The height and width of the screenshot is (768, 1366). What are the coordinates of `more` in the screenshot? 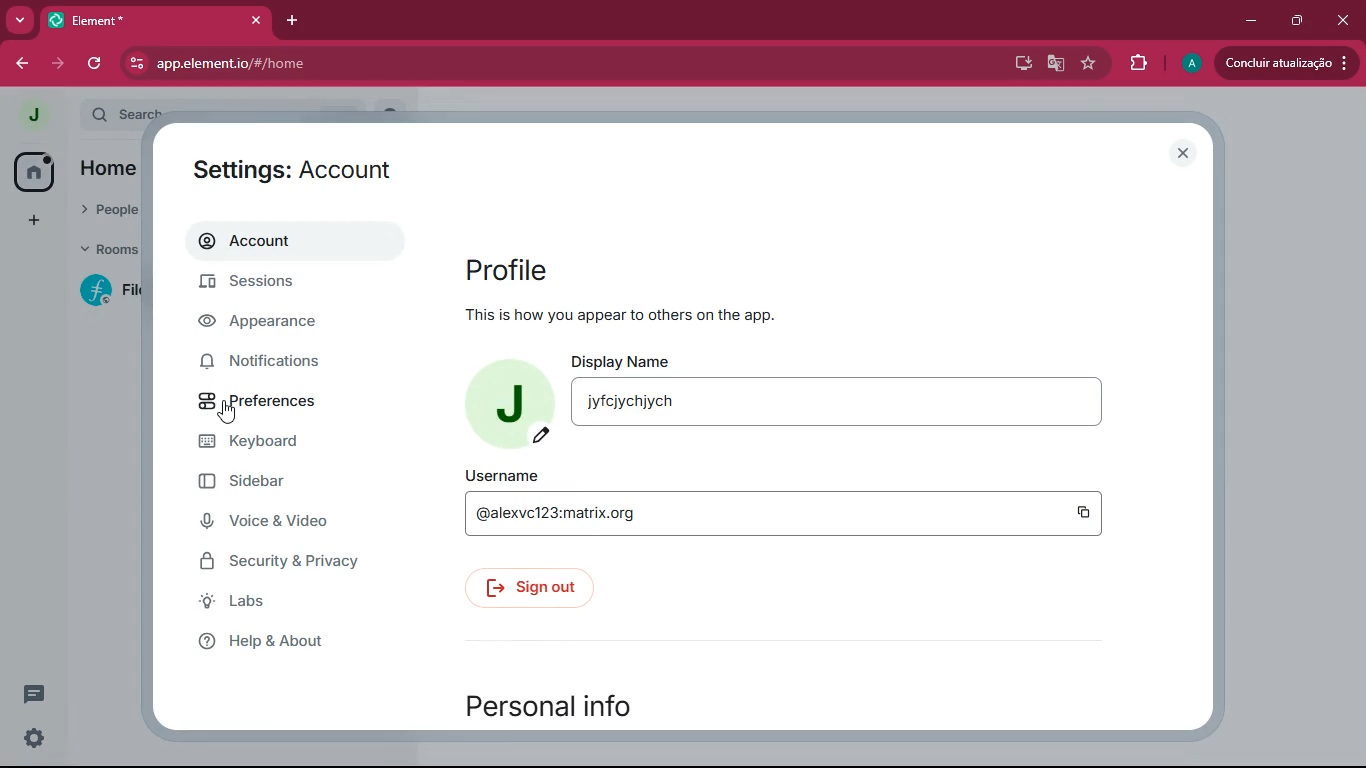 It's located at (21, 20).